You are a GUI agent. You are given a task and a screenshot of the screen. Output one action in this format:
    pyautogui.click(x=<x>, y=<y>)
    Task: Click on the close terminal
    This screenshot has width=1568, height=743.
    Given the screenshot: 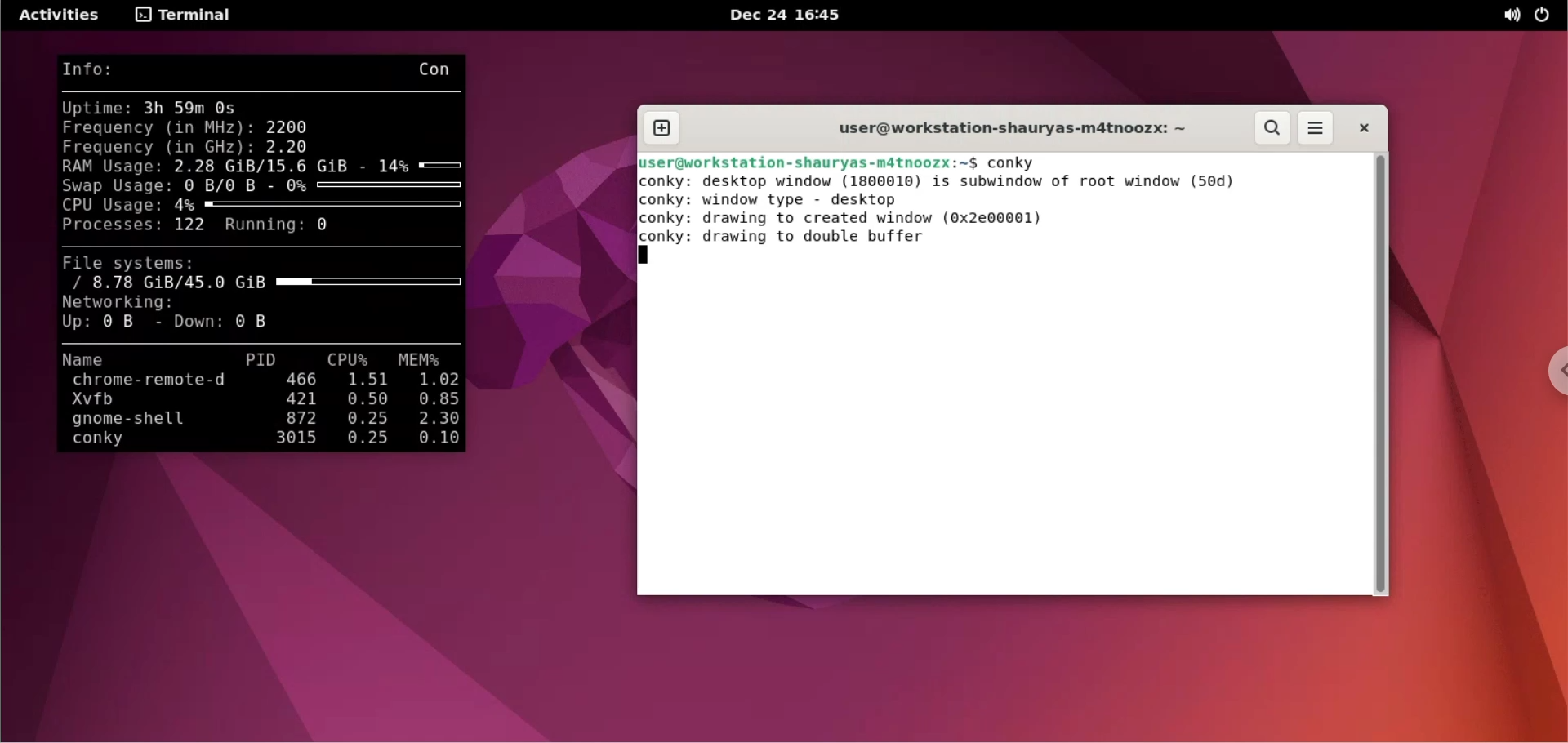 What is the action you would take?
    pyautogui.click(x=1358, y=131)
    